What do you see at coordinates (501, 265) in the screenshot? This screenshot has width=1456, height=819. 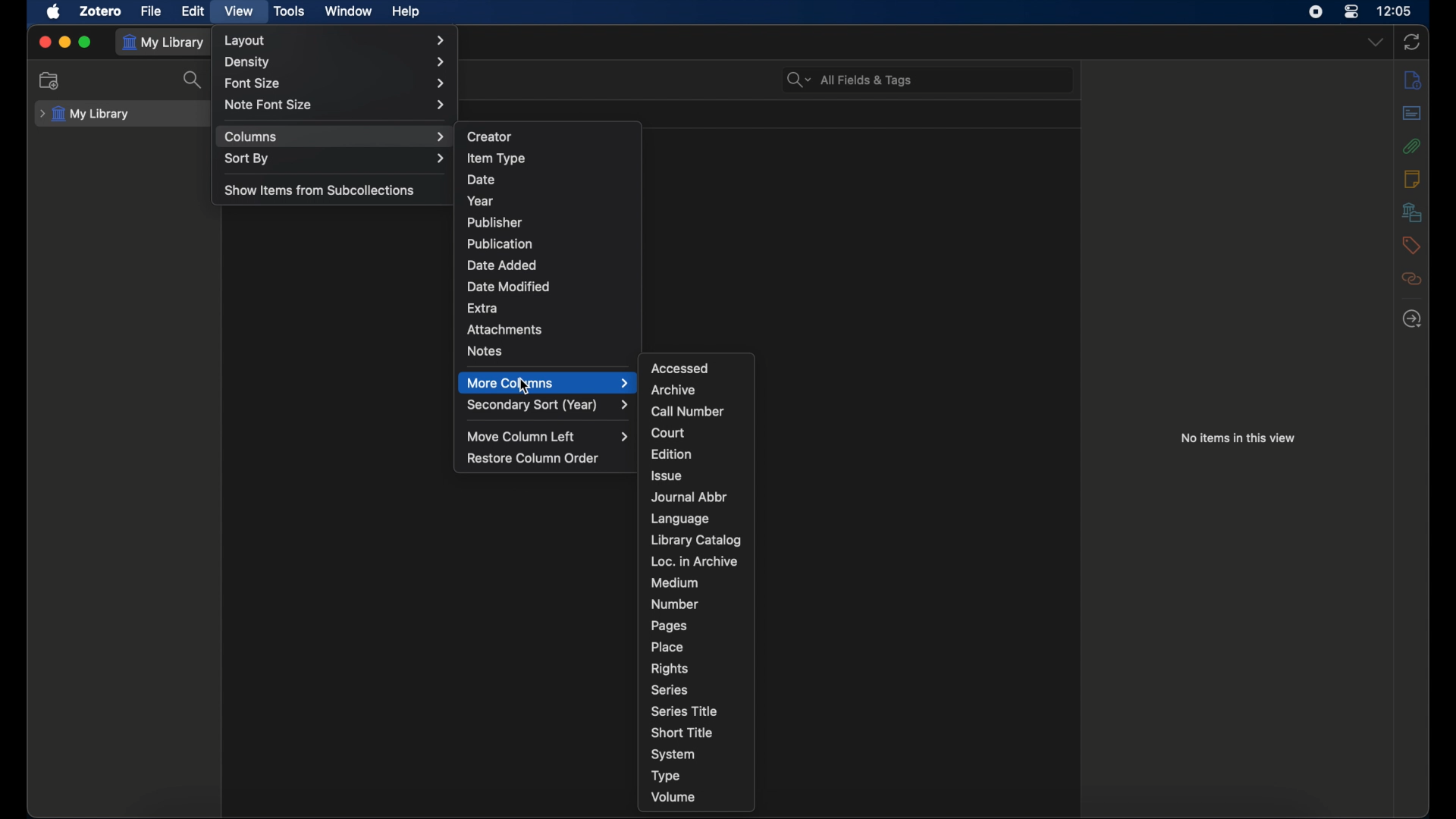 I see `date added` at bounding box center [501, 265].